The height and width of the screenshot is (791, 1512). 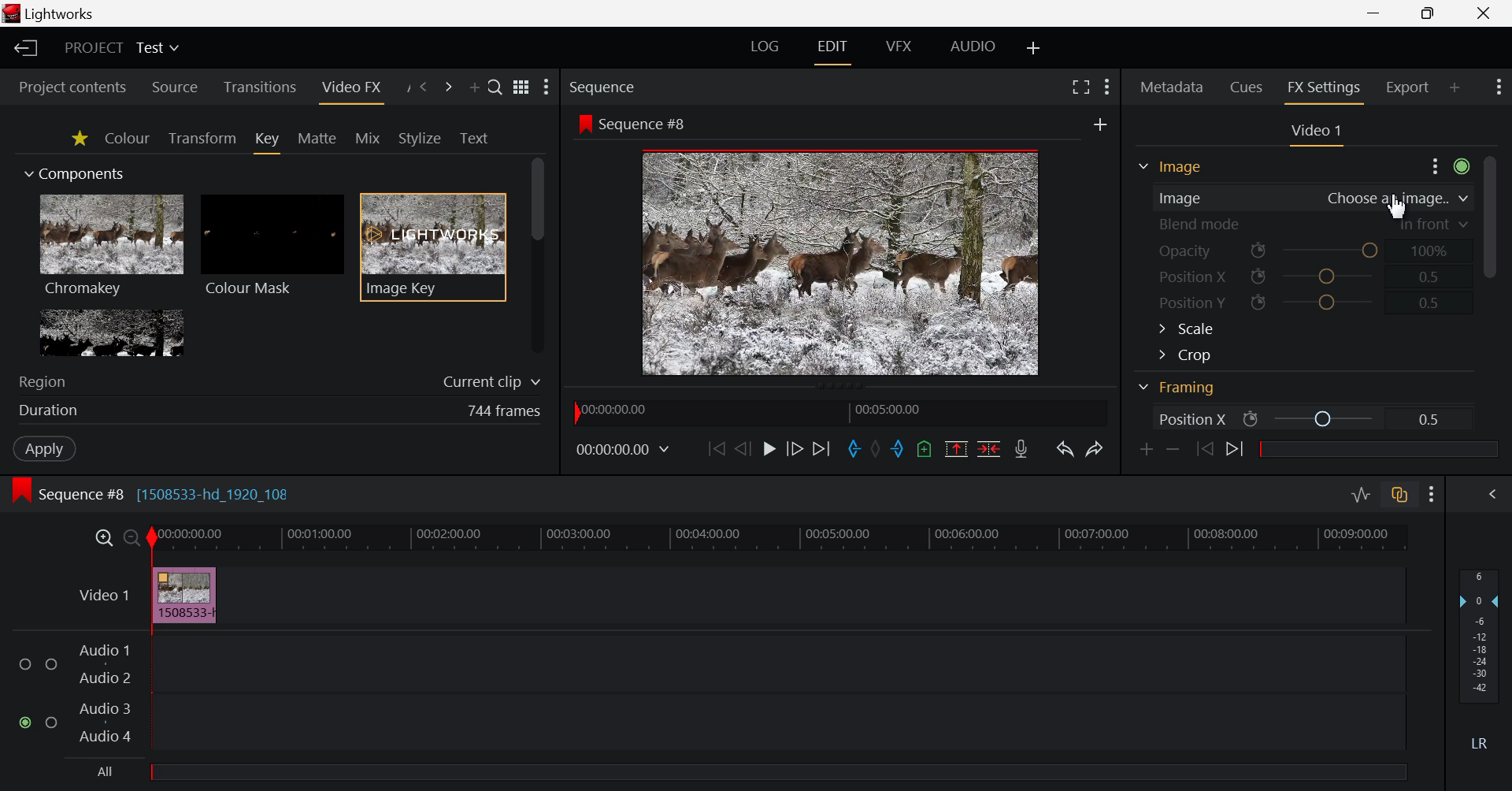 What do you see at coordinates (1395, 206) in the screenshot?
I see `Cursor Position` at bounding box center [1395, 206].